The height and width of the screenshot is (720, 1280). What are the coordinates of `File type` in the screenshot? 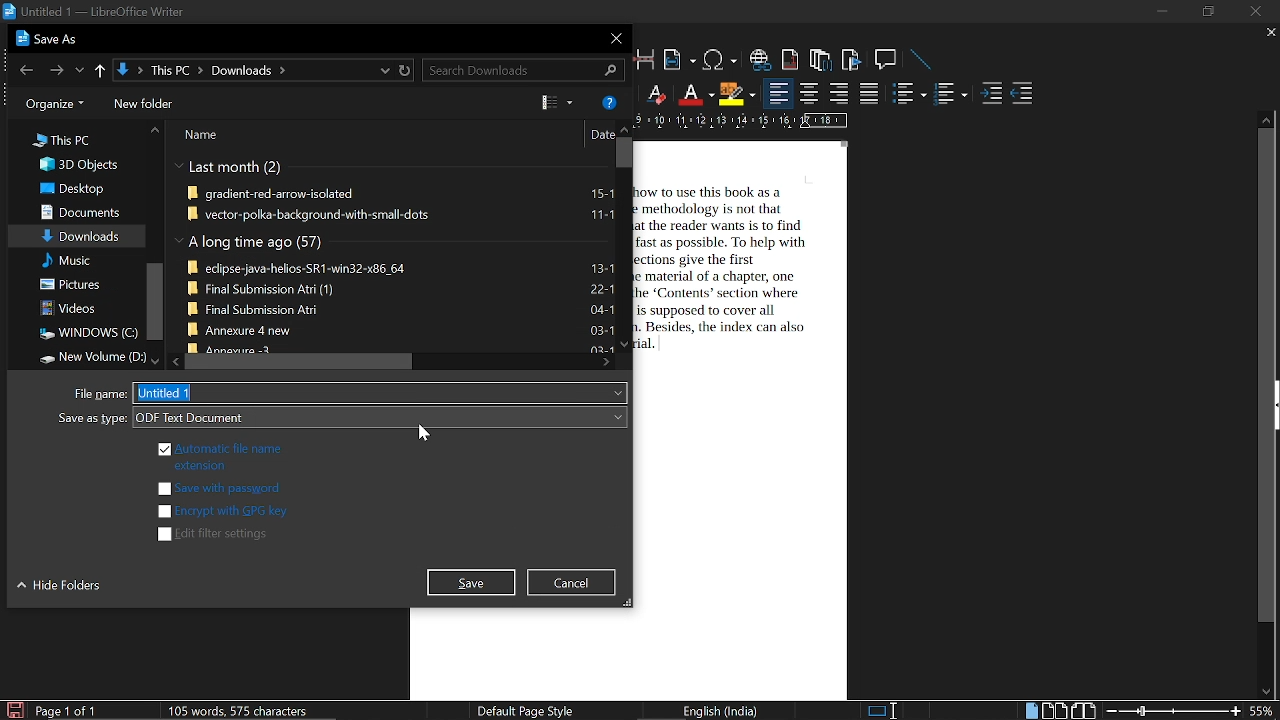 It's located at (101, 394).